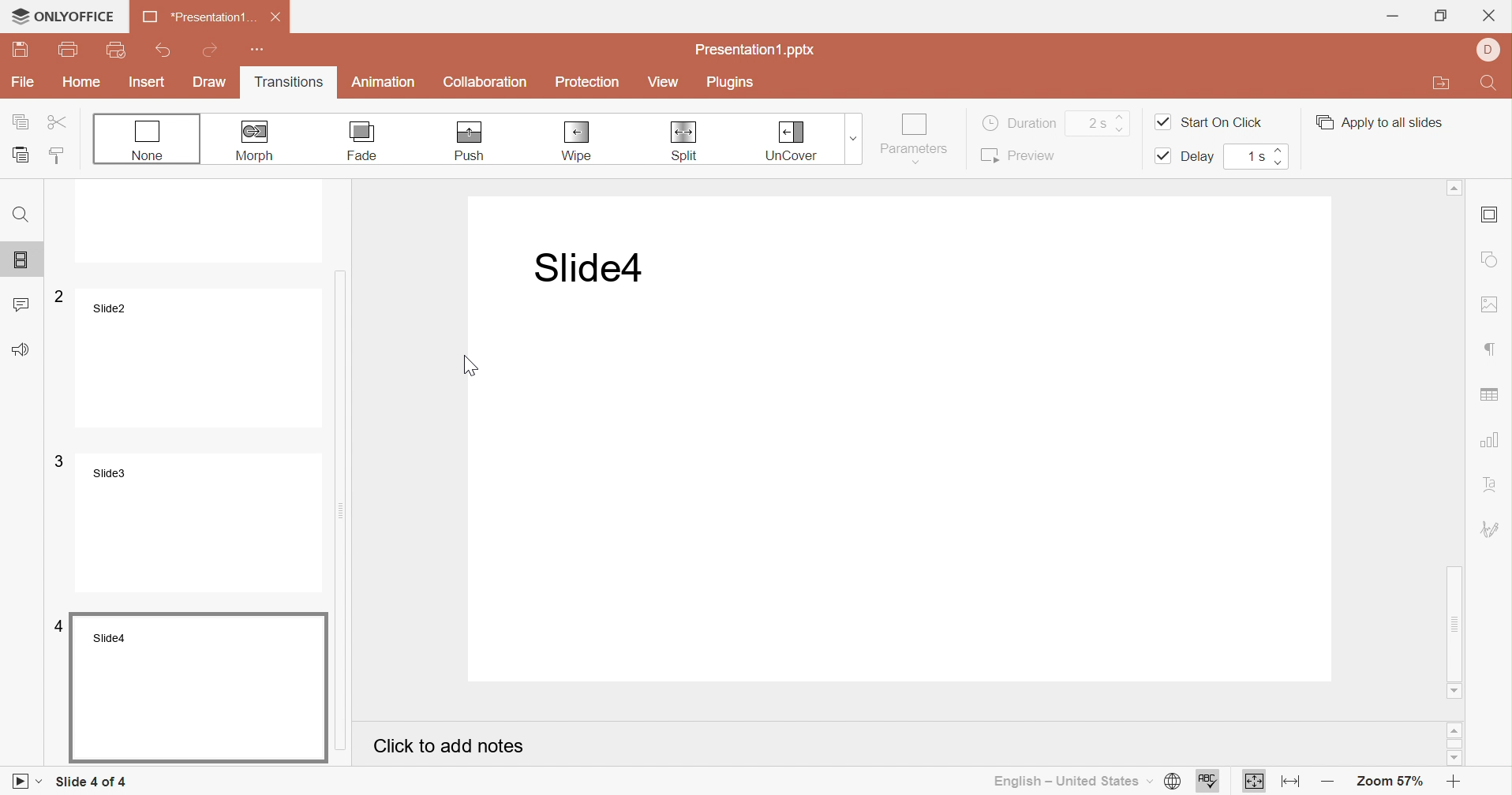  I want to click on Slide1, so click(582, 268).